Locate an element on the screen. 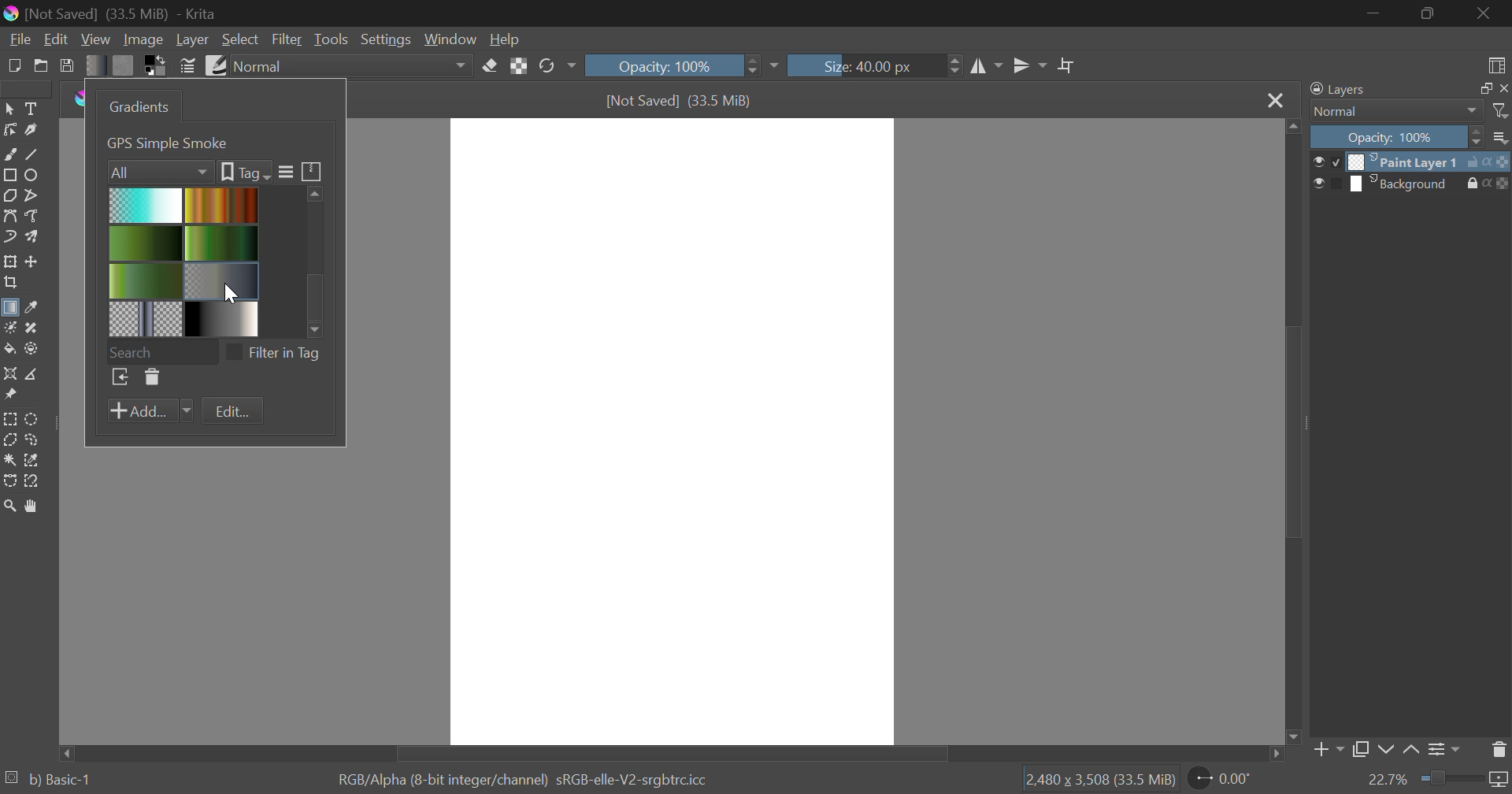 The image size is (1512, 794). Assistant Tool is located at coordinates (10, 375).